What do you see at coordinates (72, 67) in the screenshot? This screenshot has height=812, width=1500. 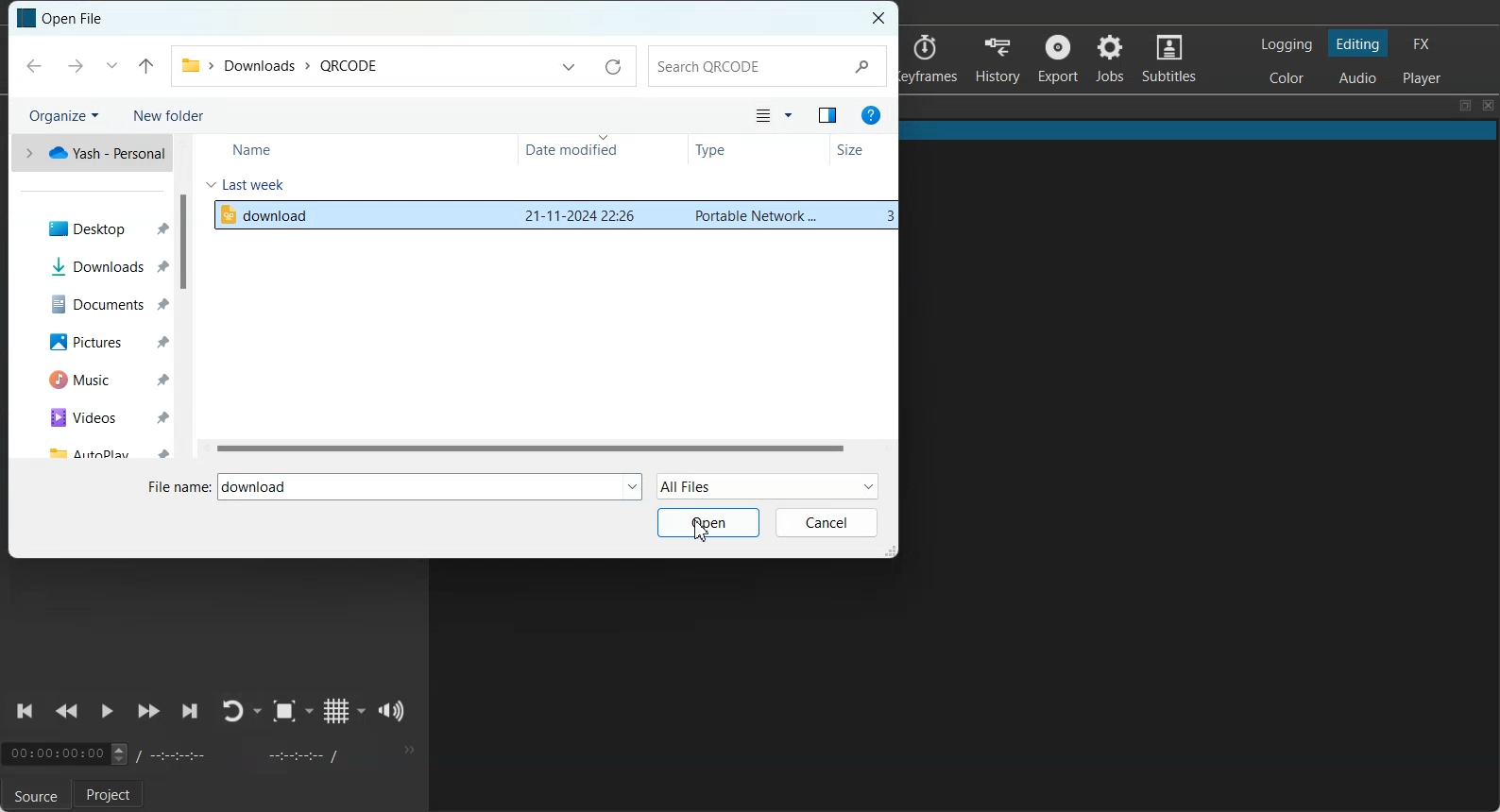 I see `Forward` at bounding box center [72, 67].